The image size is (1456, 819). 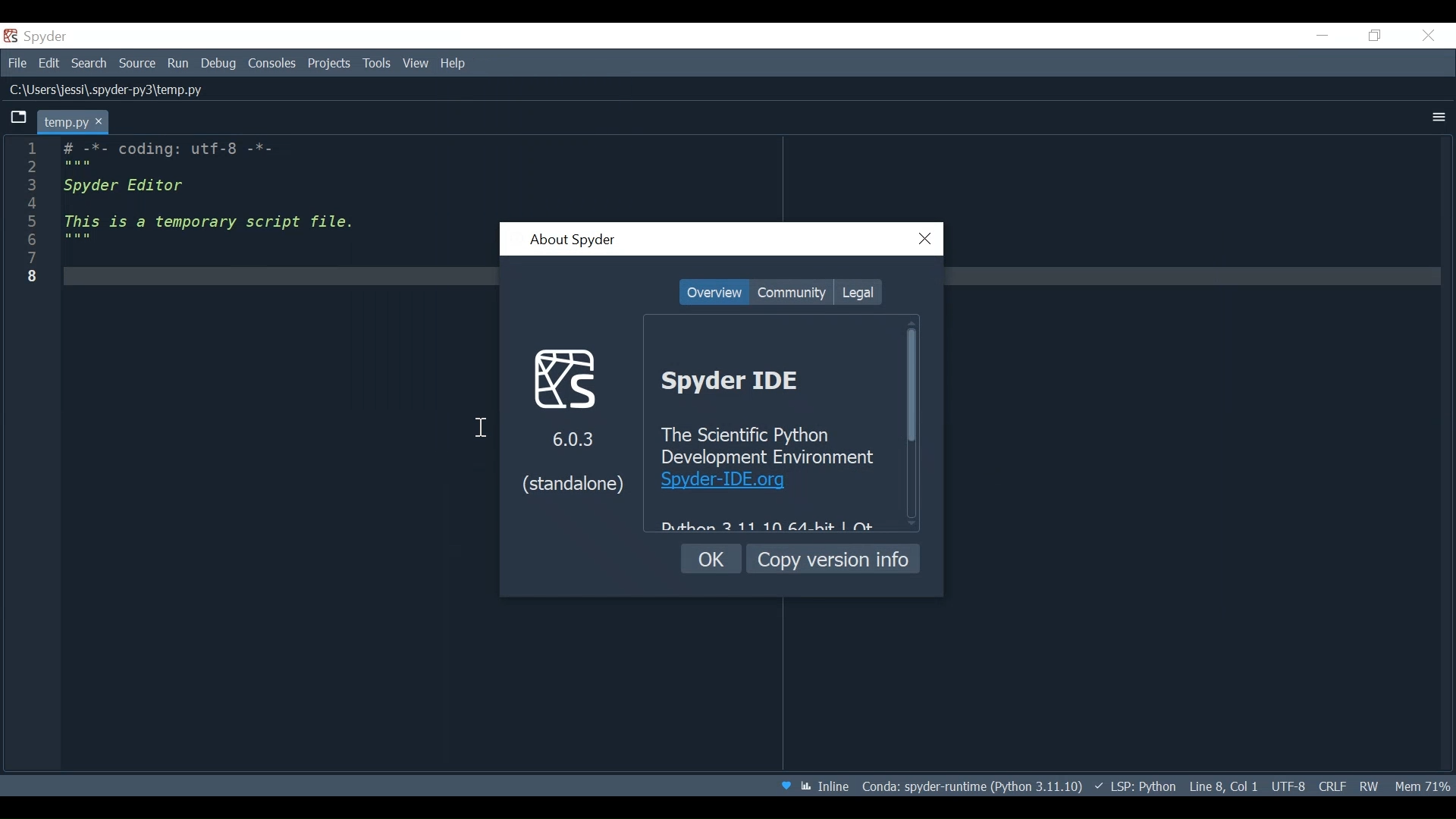 What do you see at coordinates (714, 292) in the screenshot?
I see `Overview` at bounding box center [714, 292].